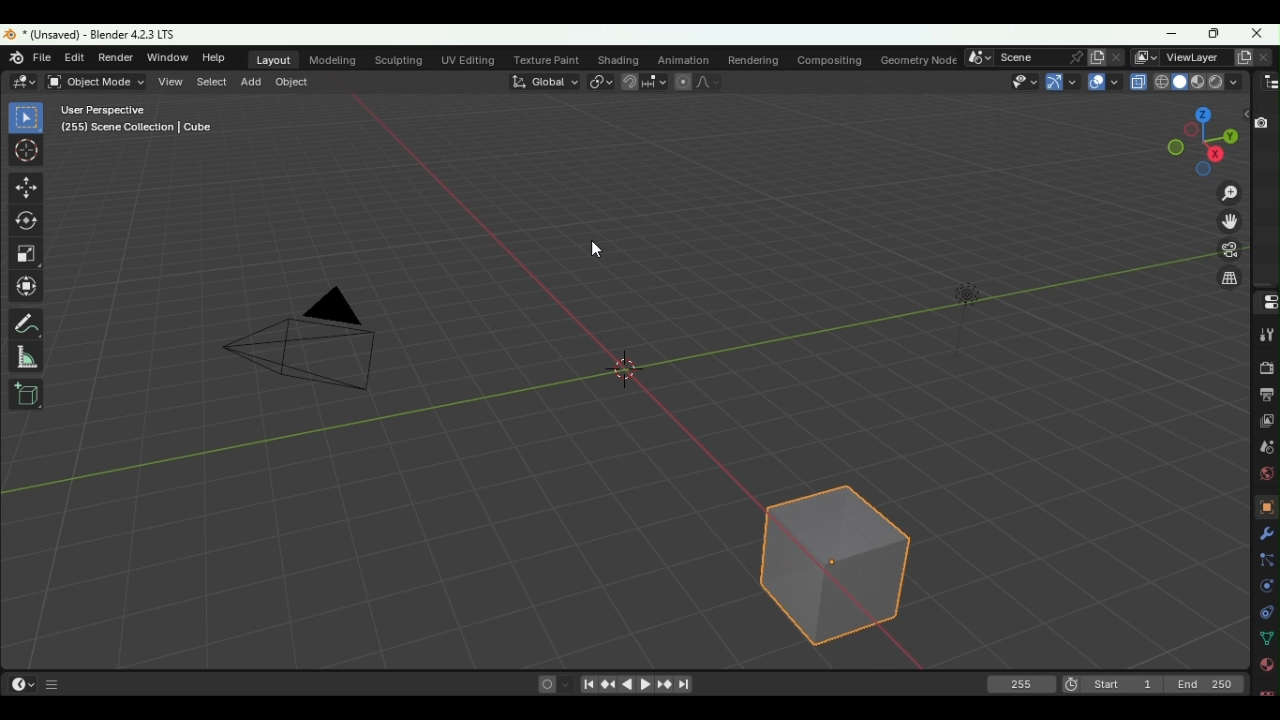 The image size is (1280, 720). What do you see at coordinates (706, 81) in the screenshot?
I see `Proportional editing falloff` at bounding box center [706, 81].